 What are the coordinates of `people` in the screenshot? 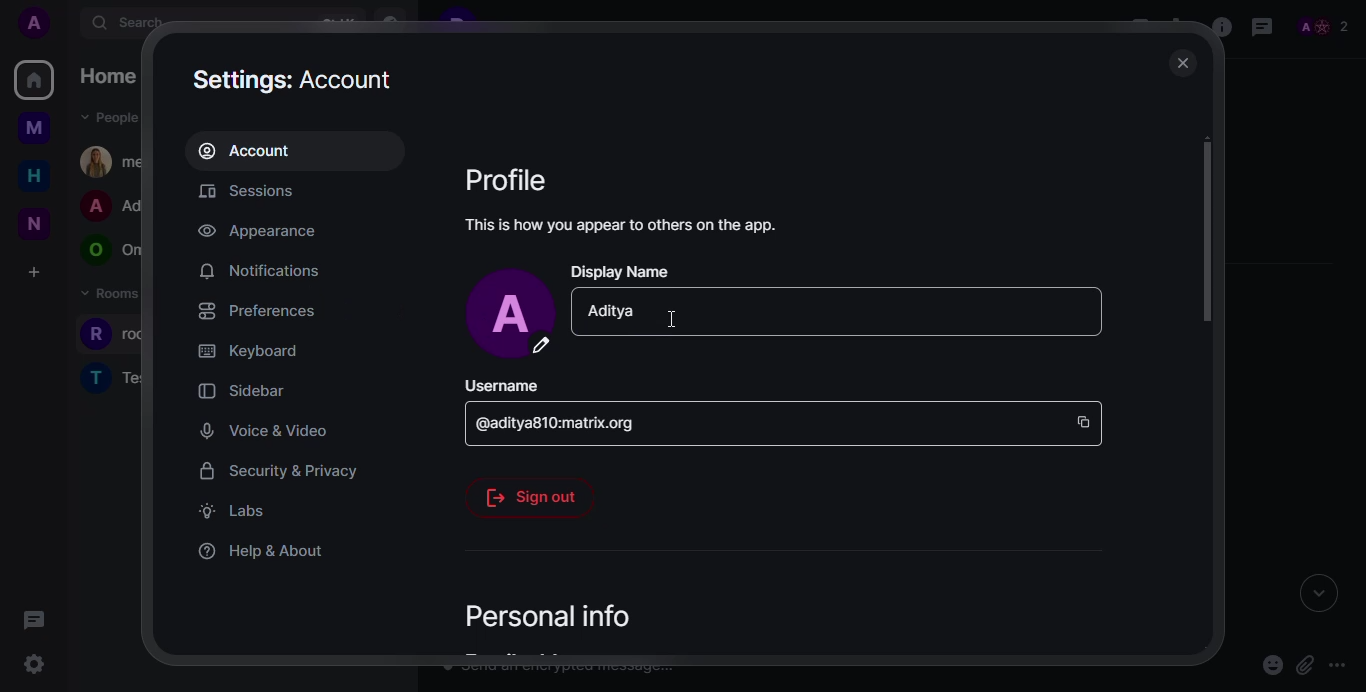 It's located at (113, 251).